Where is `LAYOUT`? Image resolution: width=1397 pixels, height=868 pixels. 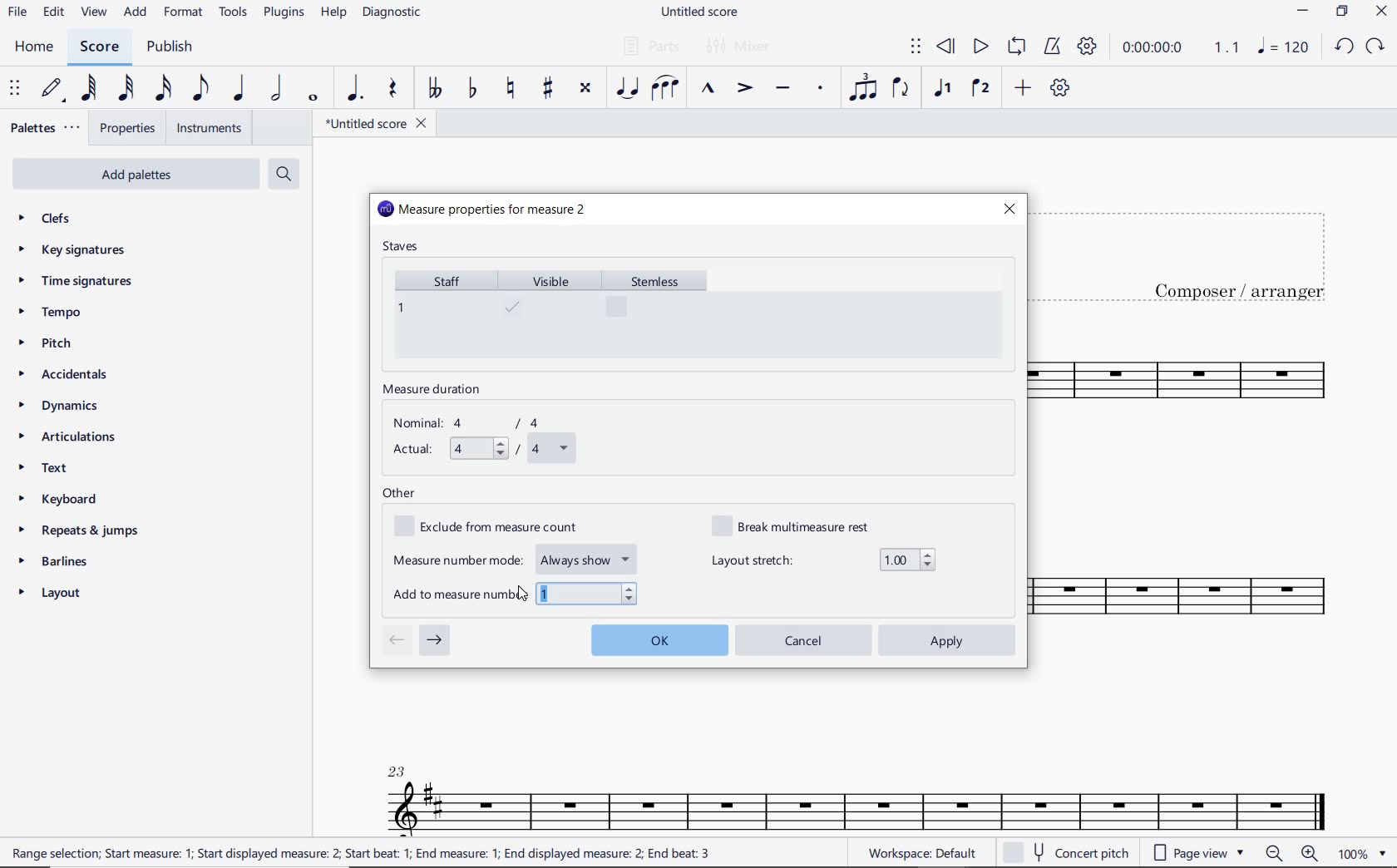 LAYOUT is located at coordinates (53, 596).